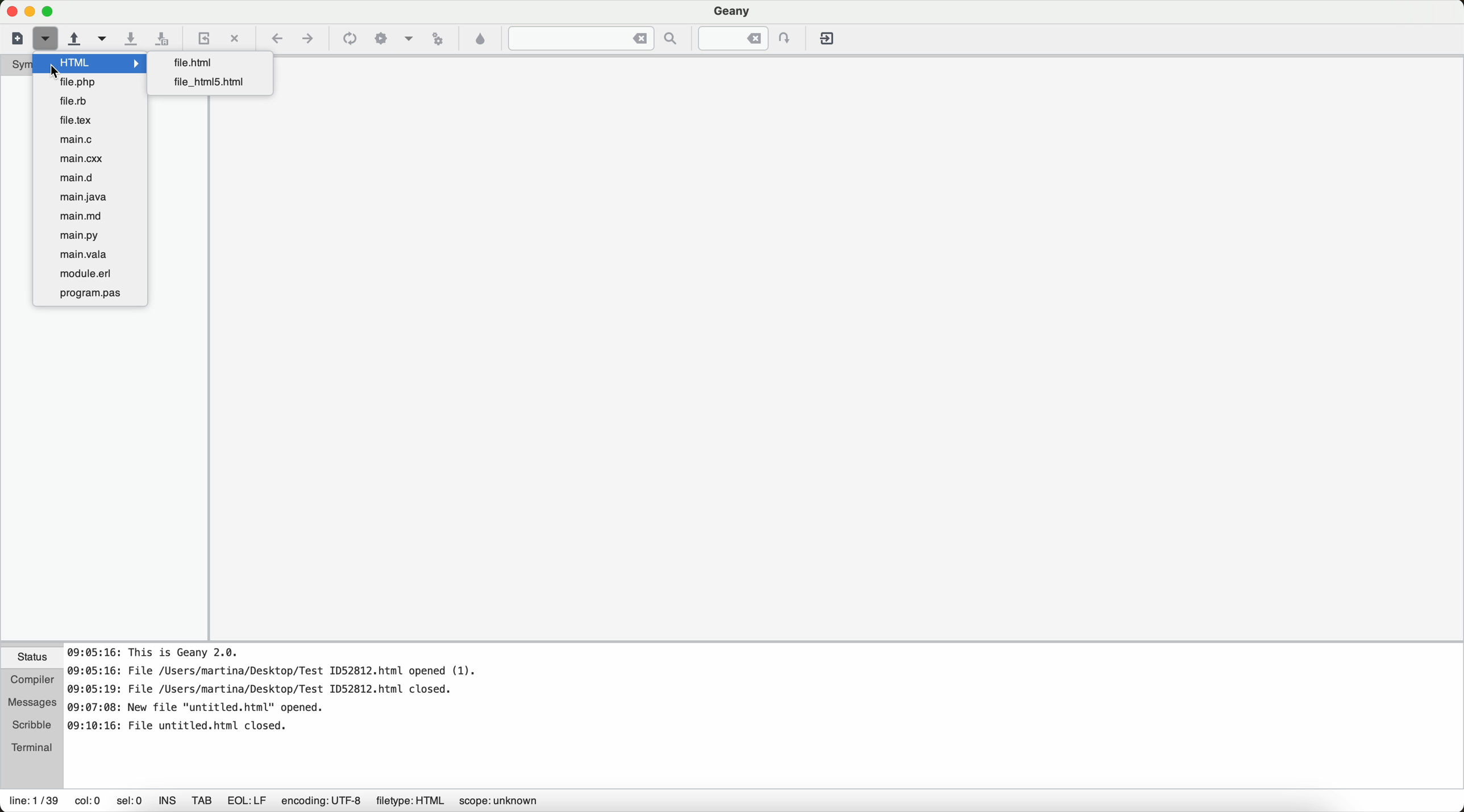 The width and height of the screenshot is (1464, 812). Describe the element at coordinates (90, 179) in the screenshot. I see `main.d` at that location.